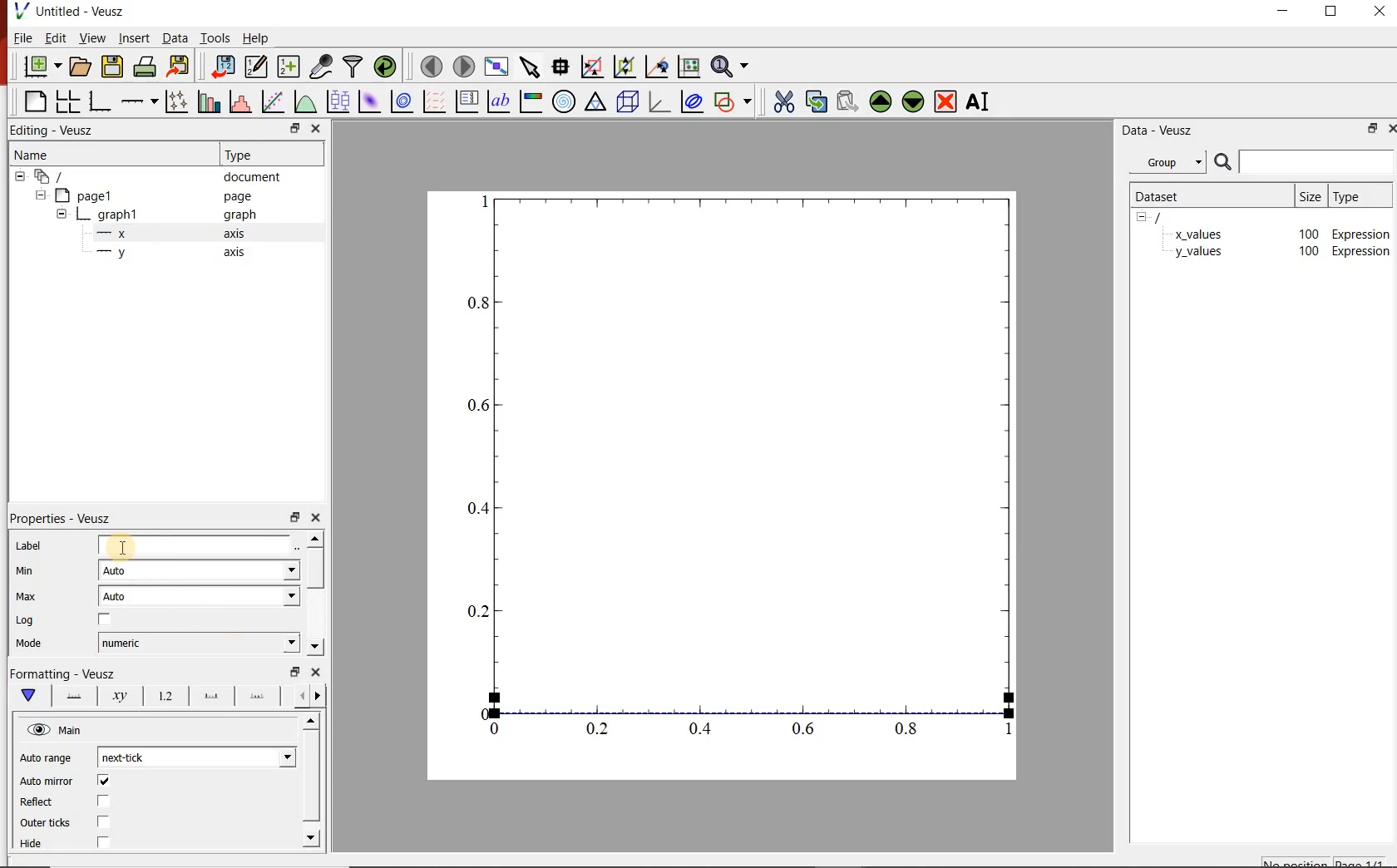 The image size is (1397, 868). What do you see at coordinates (197, 757) in the screenshot?
I see `next tick` at bounding box center [197, 757].